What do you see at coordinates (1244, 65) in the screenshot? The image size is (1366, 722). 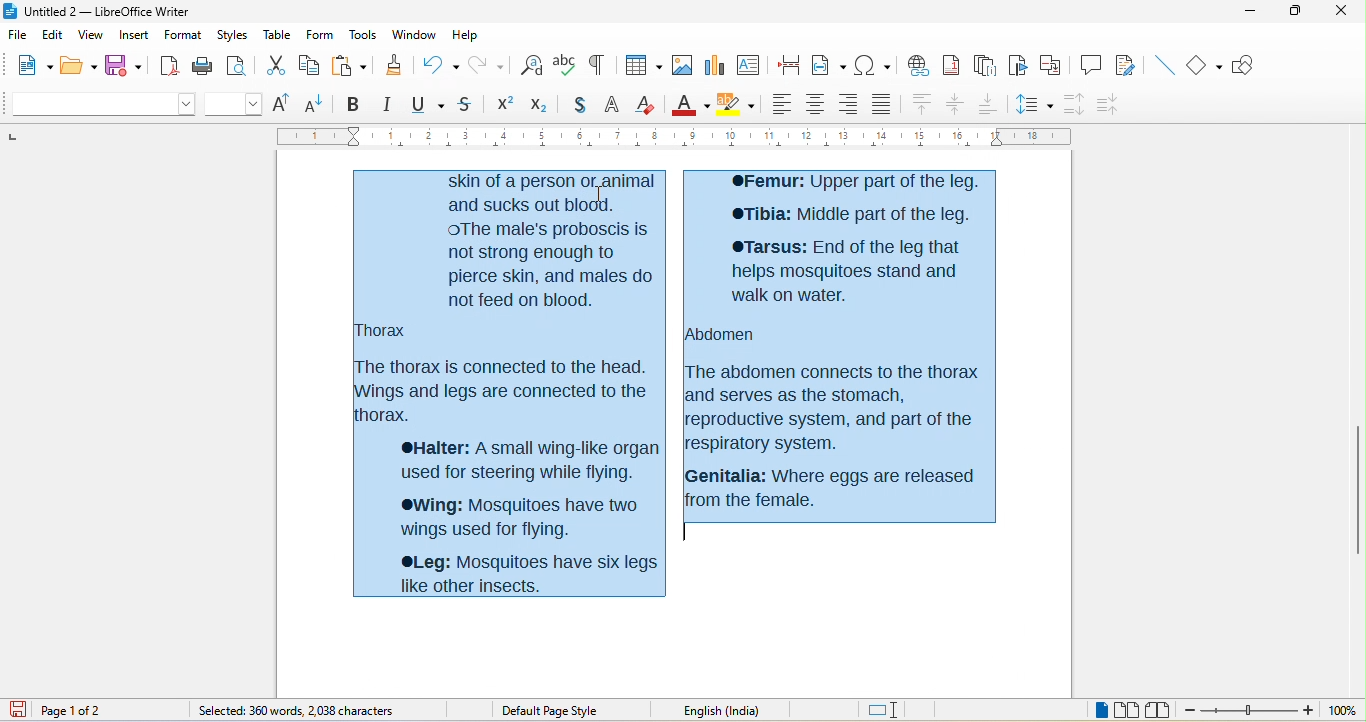 I see `show draw function` at bounding box center [1244, 65].